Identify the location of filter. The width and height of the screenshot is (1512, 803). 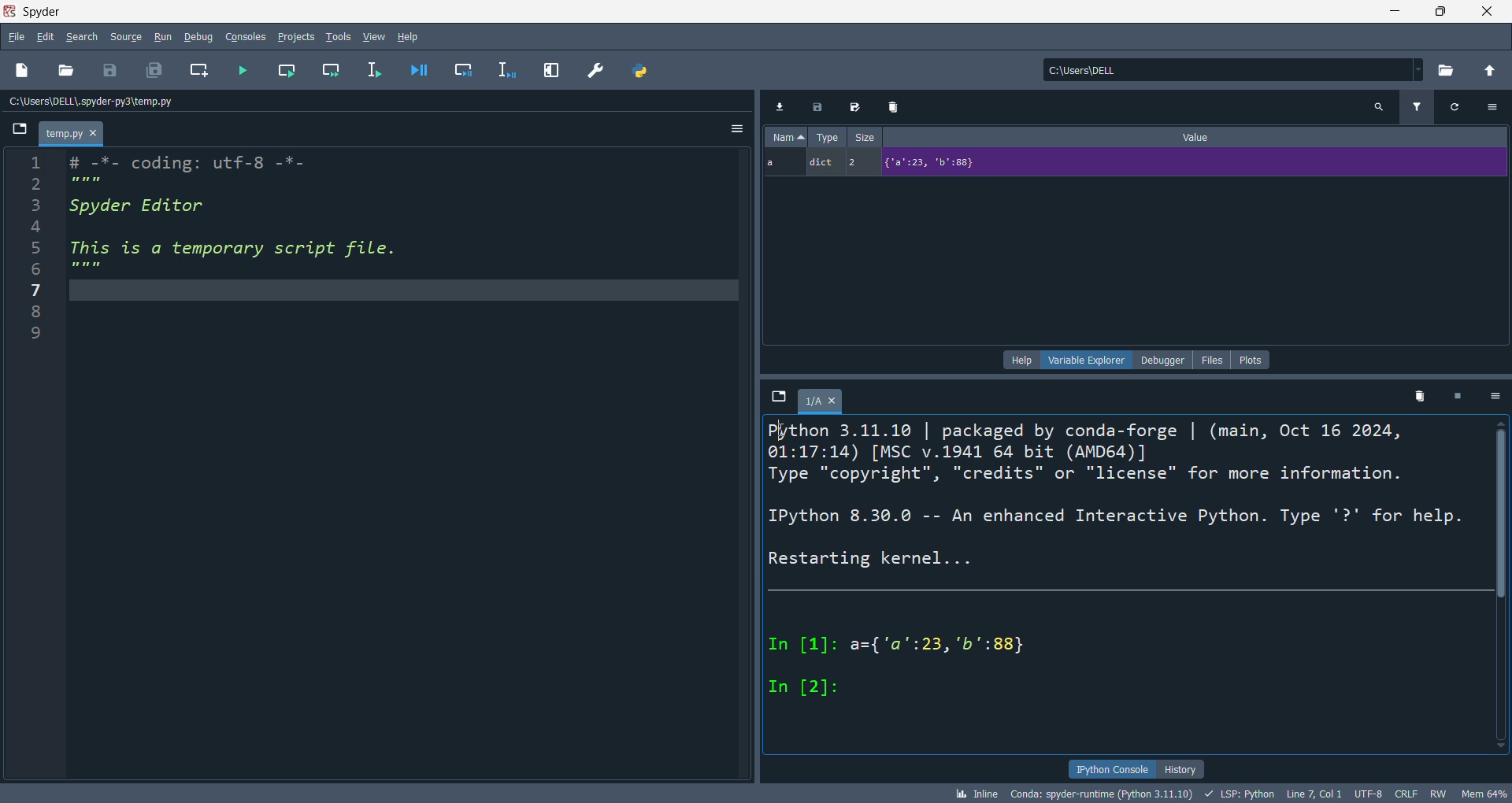
(1420, 105).